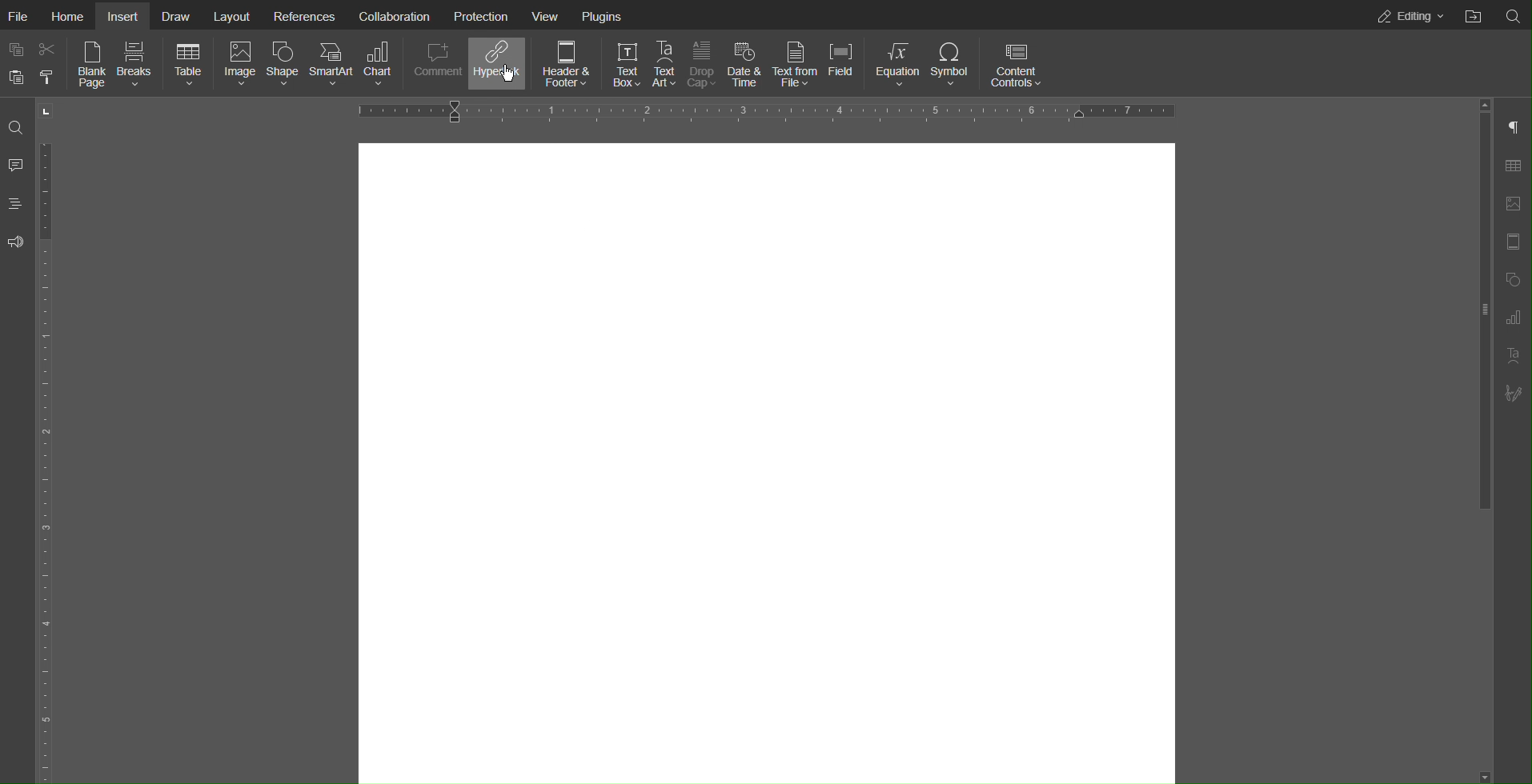 The height and width of the screenshot is (784, 1532). What do you see at coordinates (497, 64) in the screenshot?
I see `Hyperlink` at bounding box center [497, 64].